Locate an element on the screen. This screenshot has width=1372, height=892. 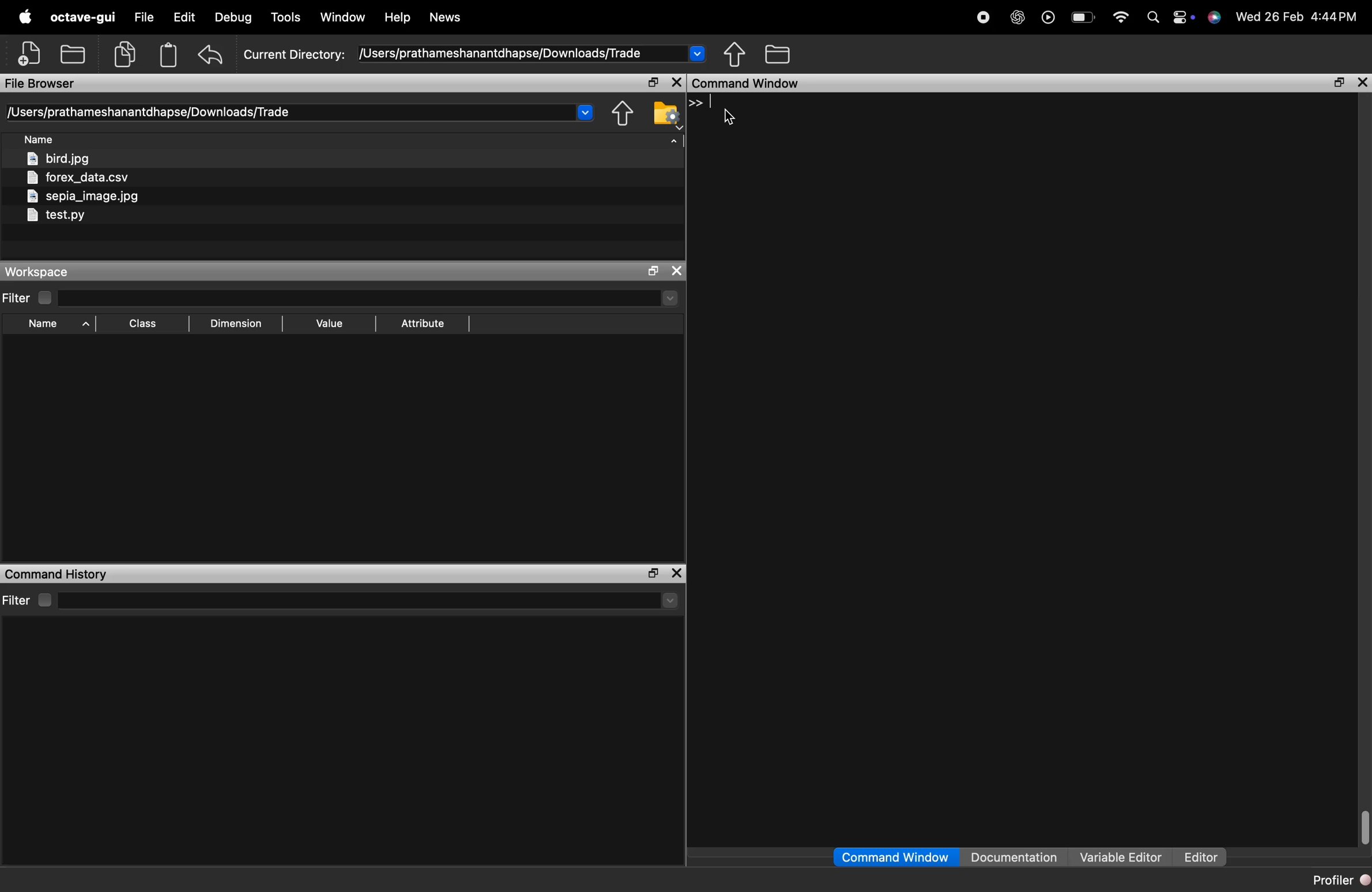
Help is located at coordinates (397, 14).